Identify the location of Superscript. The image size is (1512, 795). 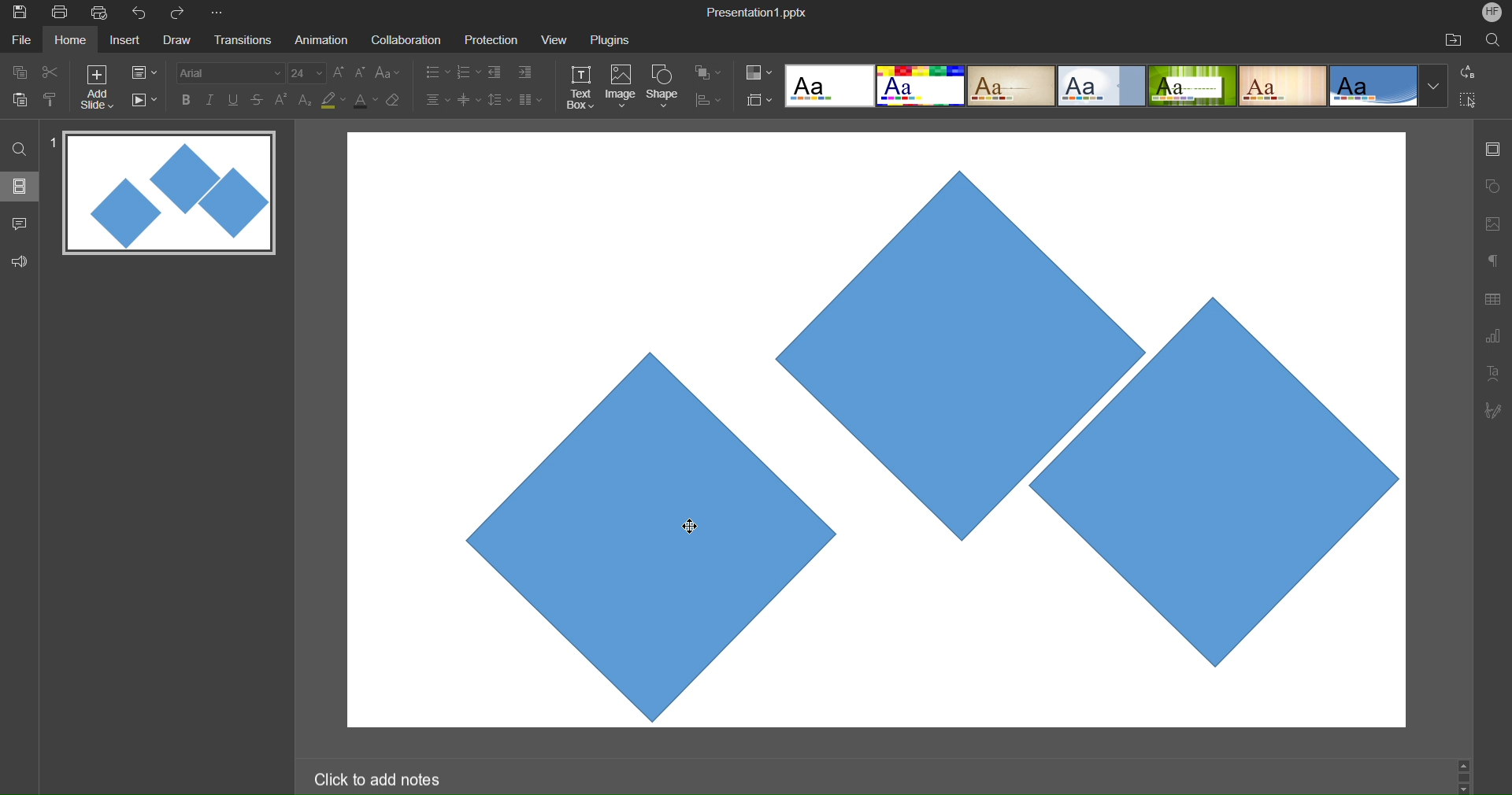
(283, 99).